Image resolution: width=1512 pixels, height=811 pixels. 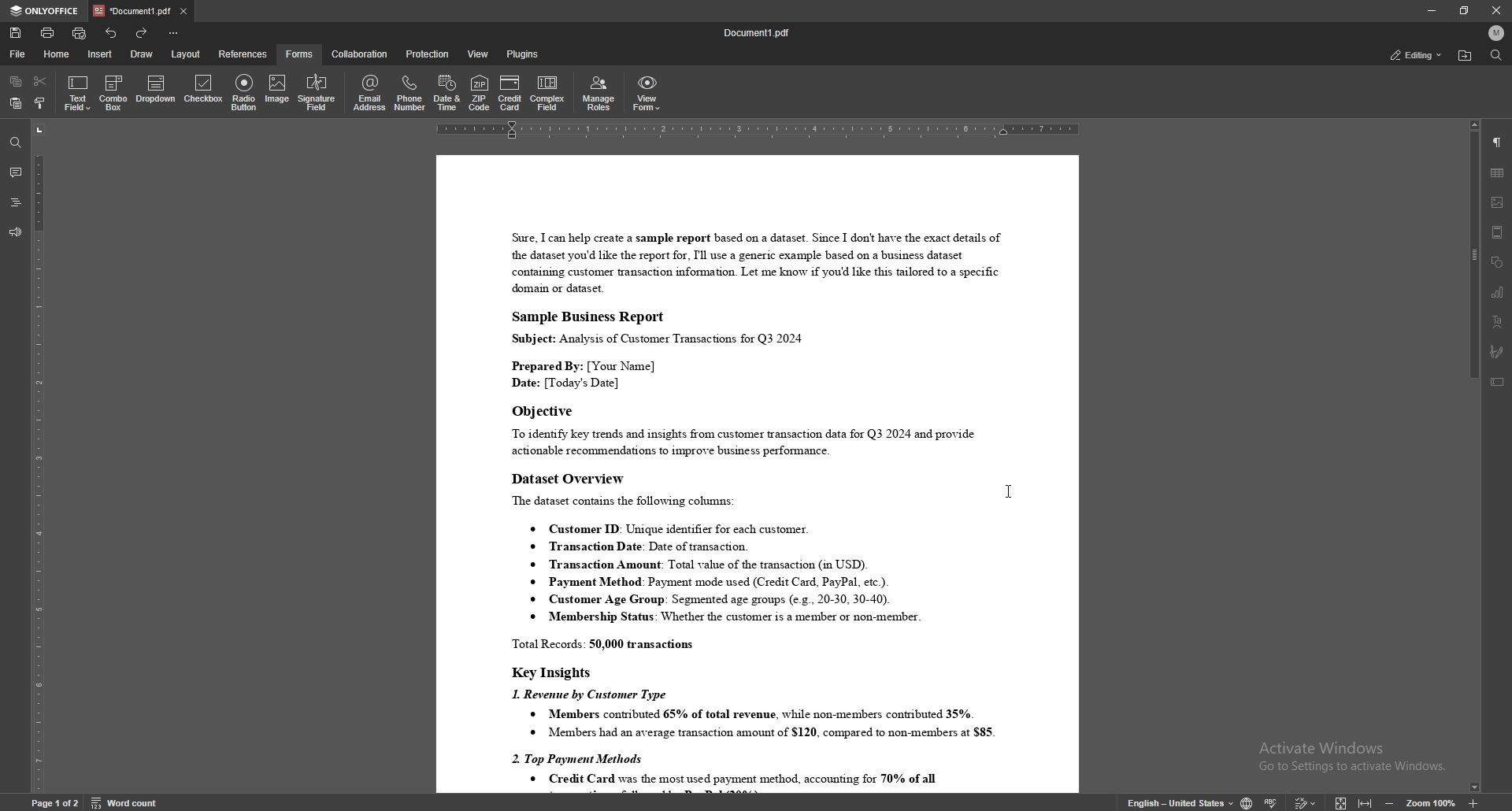 I want to click on view, so click(x=480, y=54).